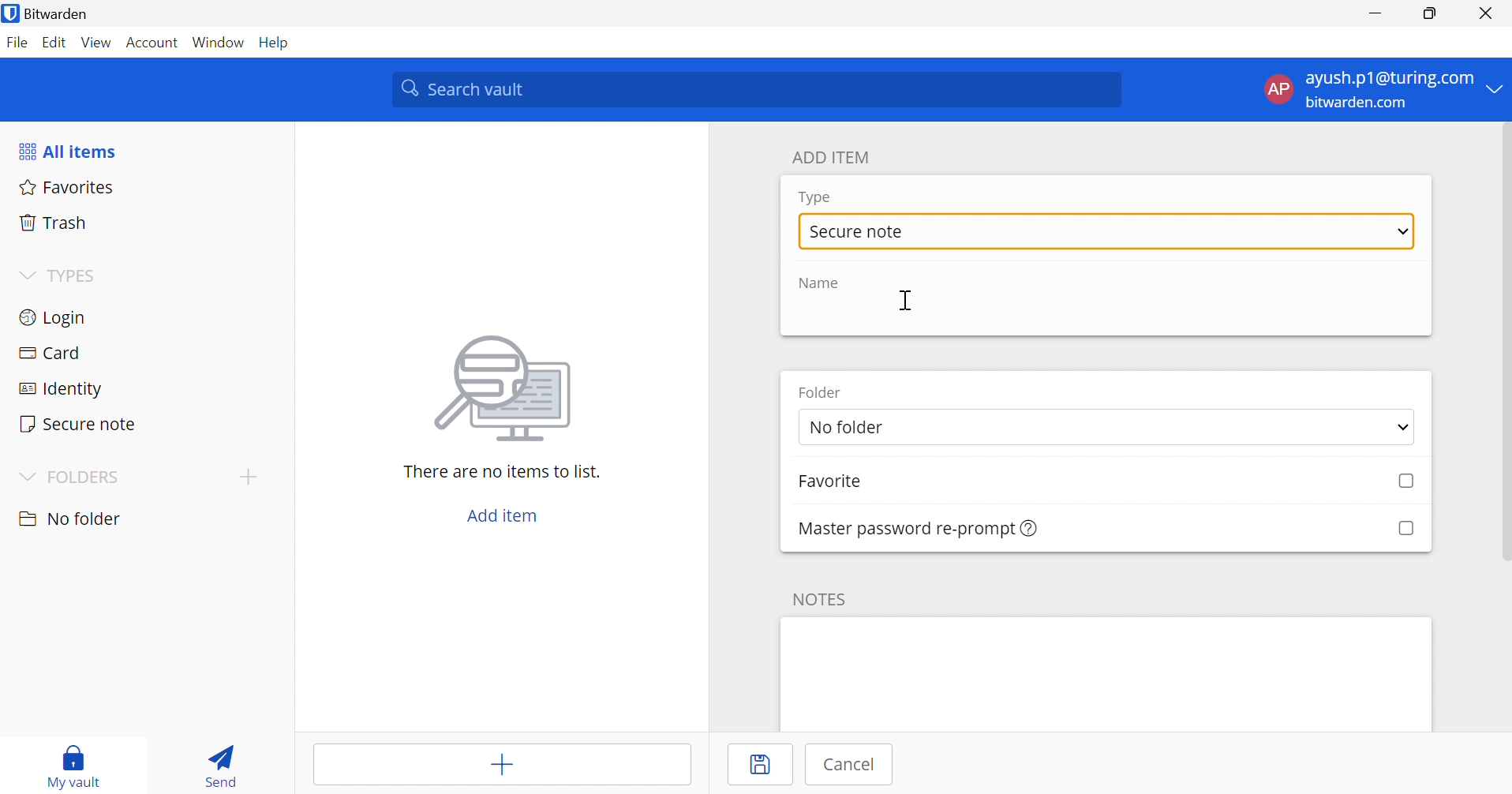  Describe the element at coordinates (51, 320) in the screenshot. I see `Login` at that location.